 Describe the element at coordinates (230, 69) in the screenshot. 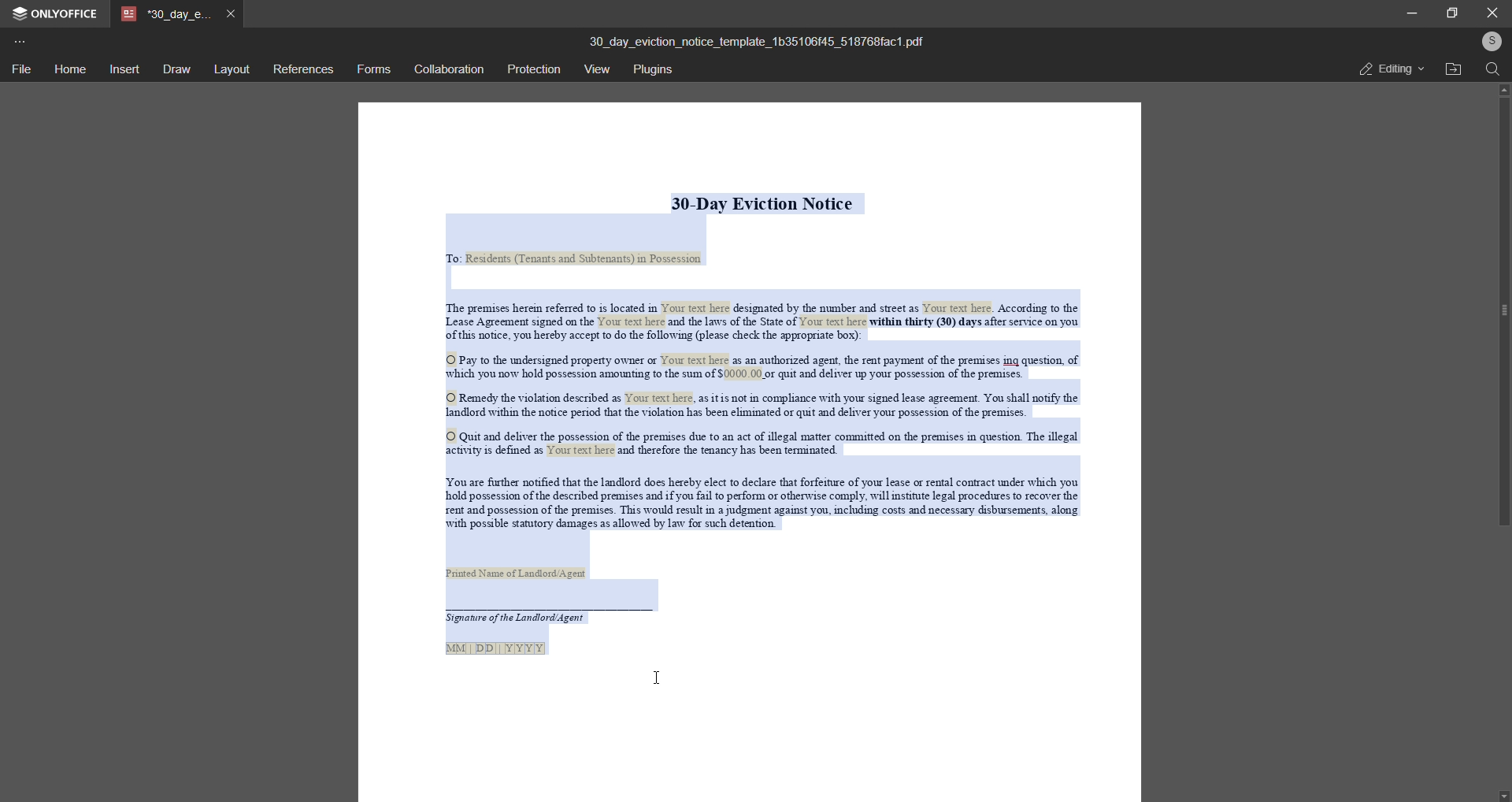

I see `layout` at that location.